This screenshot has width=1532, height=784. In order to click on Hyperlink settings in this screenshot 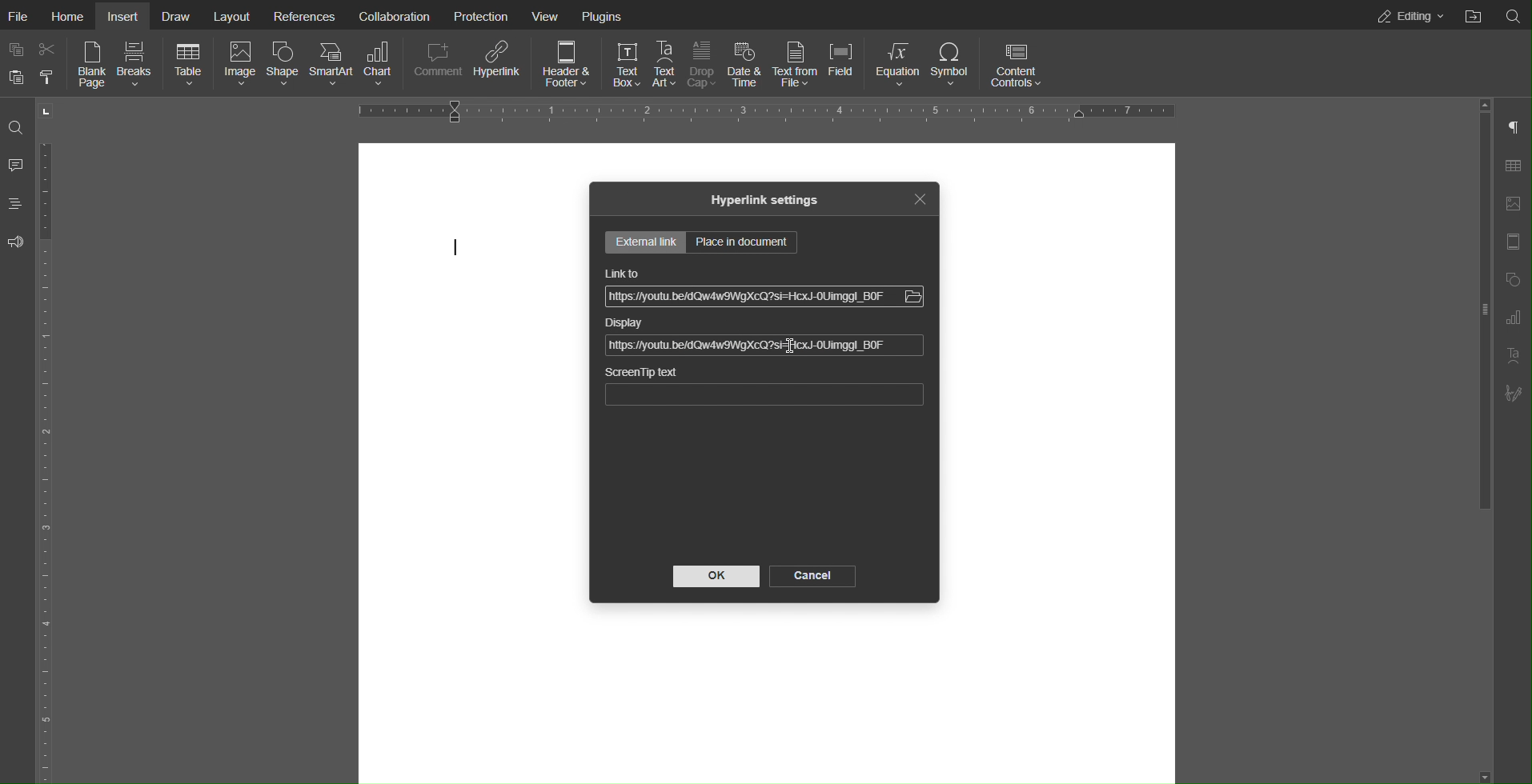, I will do `click(764, 201)`.